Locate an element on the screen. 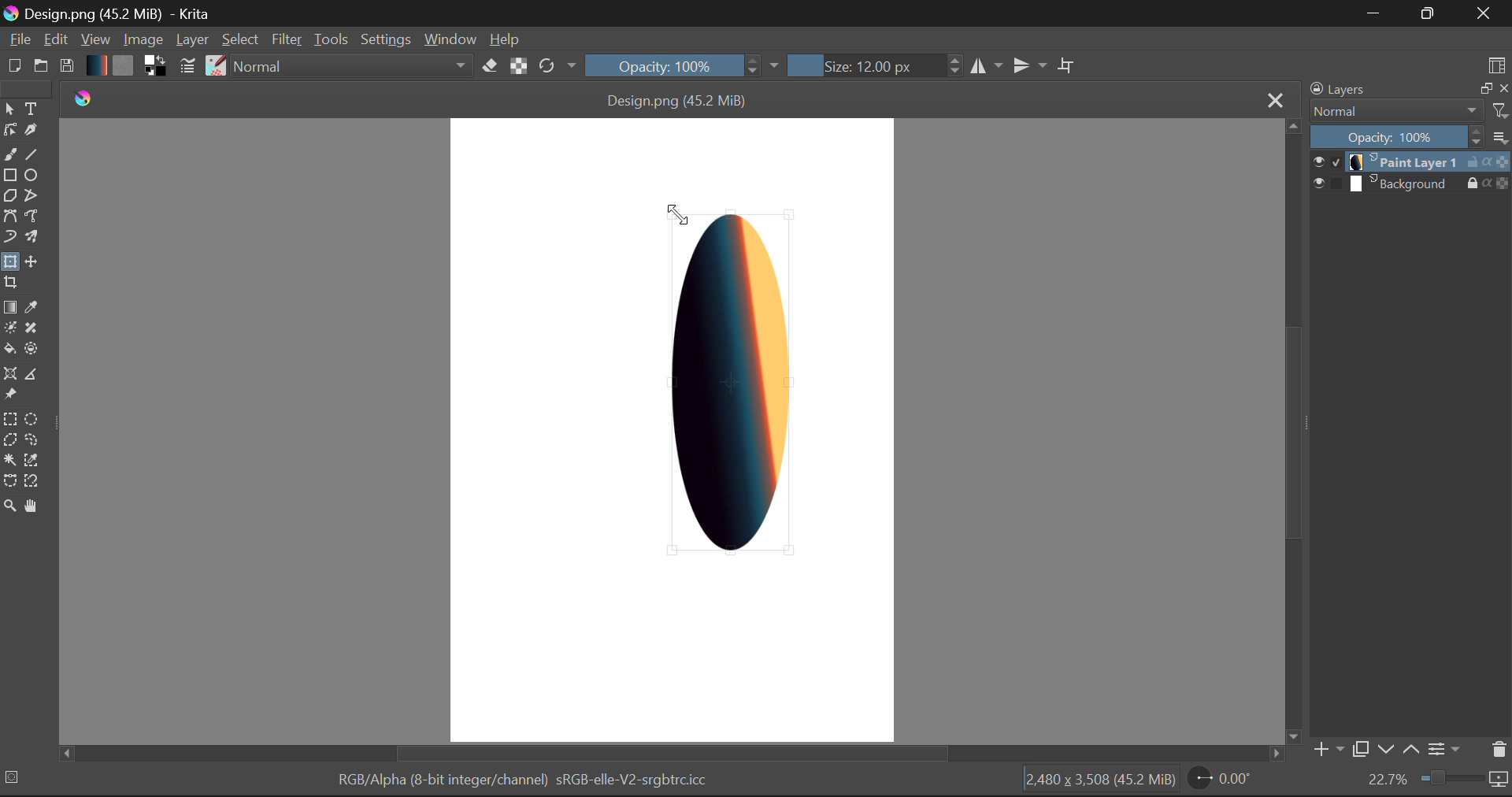 The image size is (1512, 797). Polygon Selection is located at coordinates (9, 440).